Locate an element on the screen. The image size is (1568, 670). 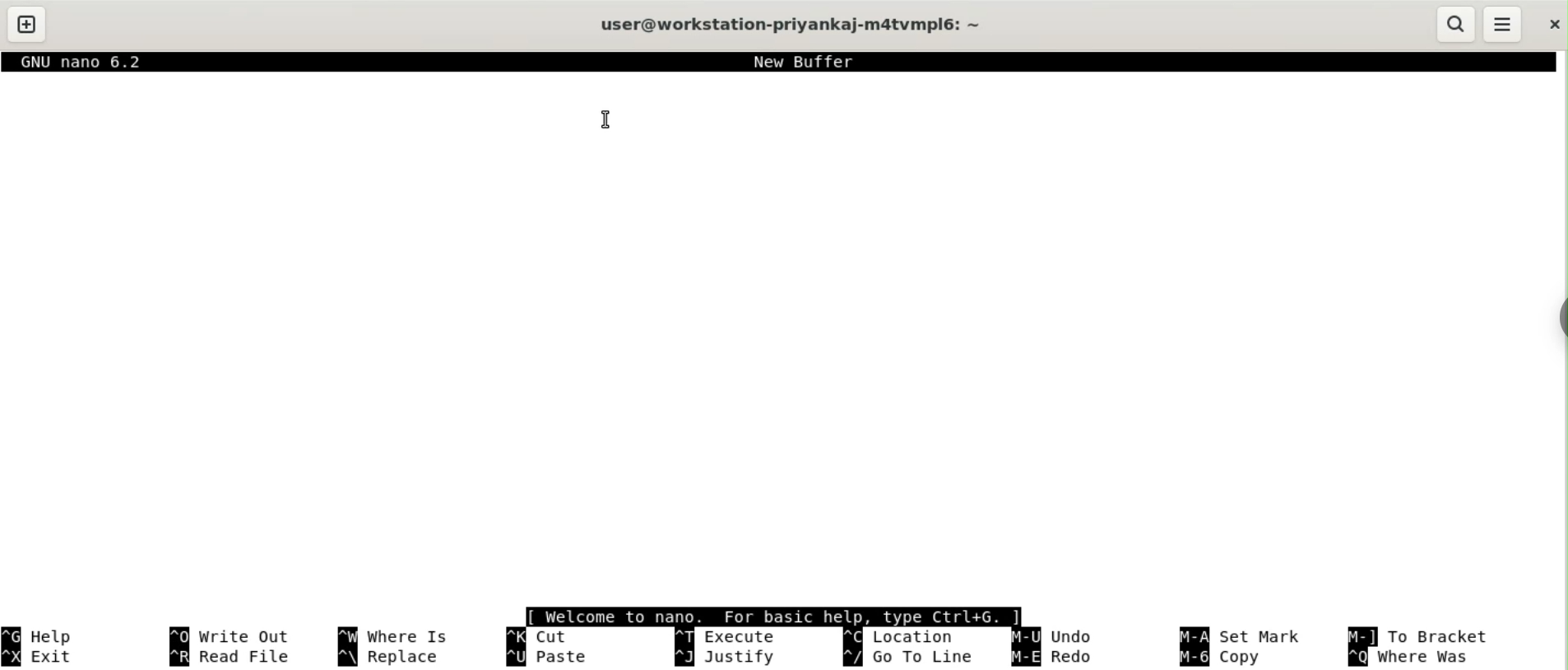
sidebar is located at coordinates (1556, 318).